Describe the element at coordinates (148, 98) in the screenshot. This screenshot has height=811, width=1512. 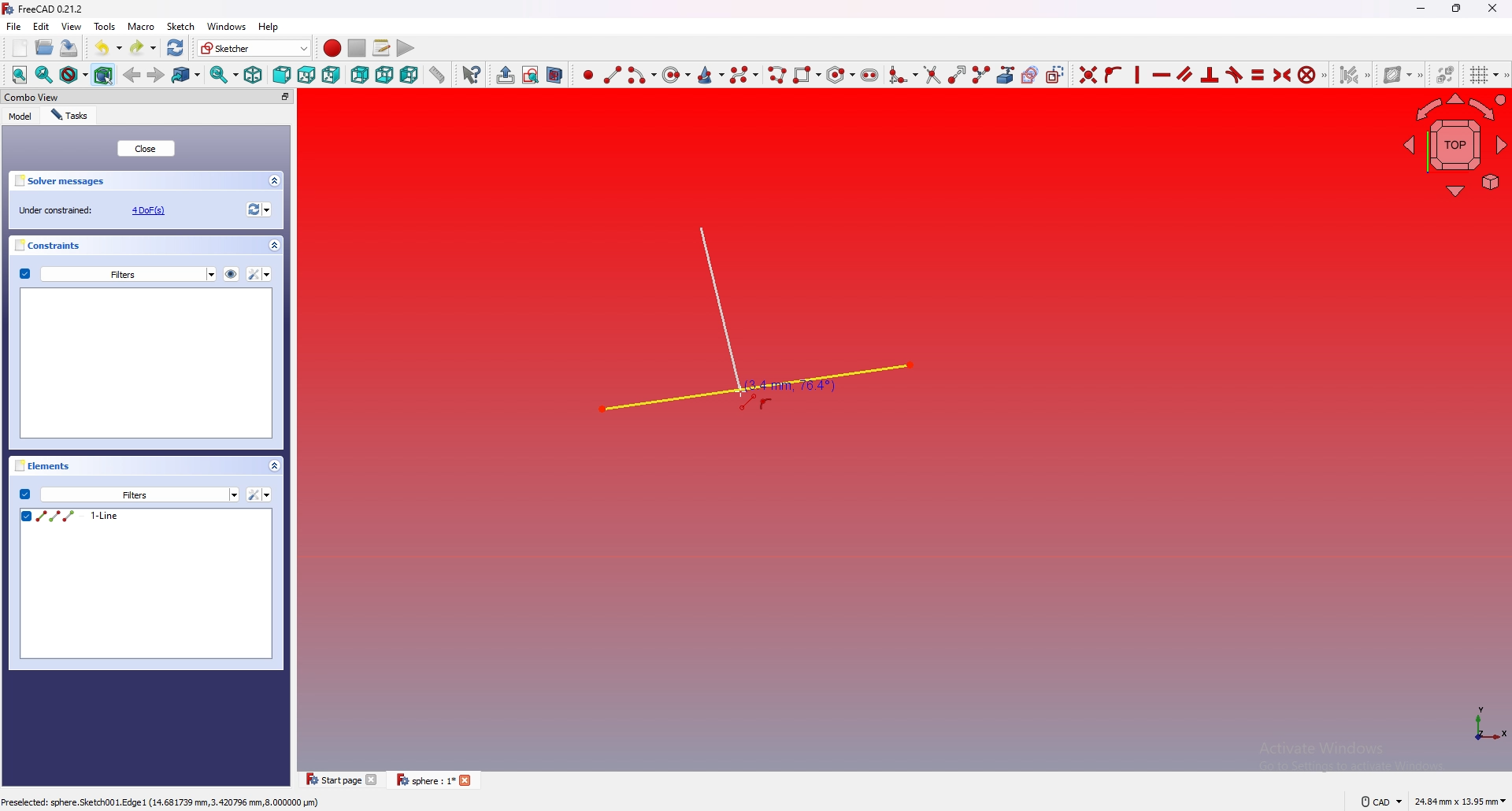
I see `Combo View` at that location.